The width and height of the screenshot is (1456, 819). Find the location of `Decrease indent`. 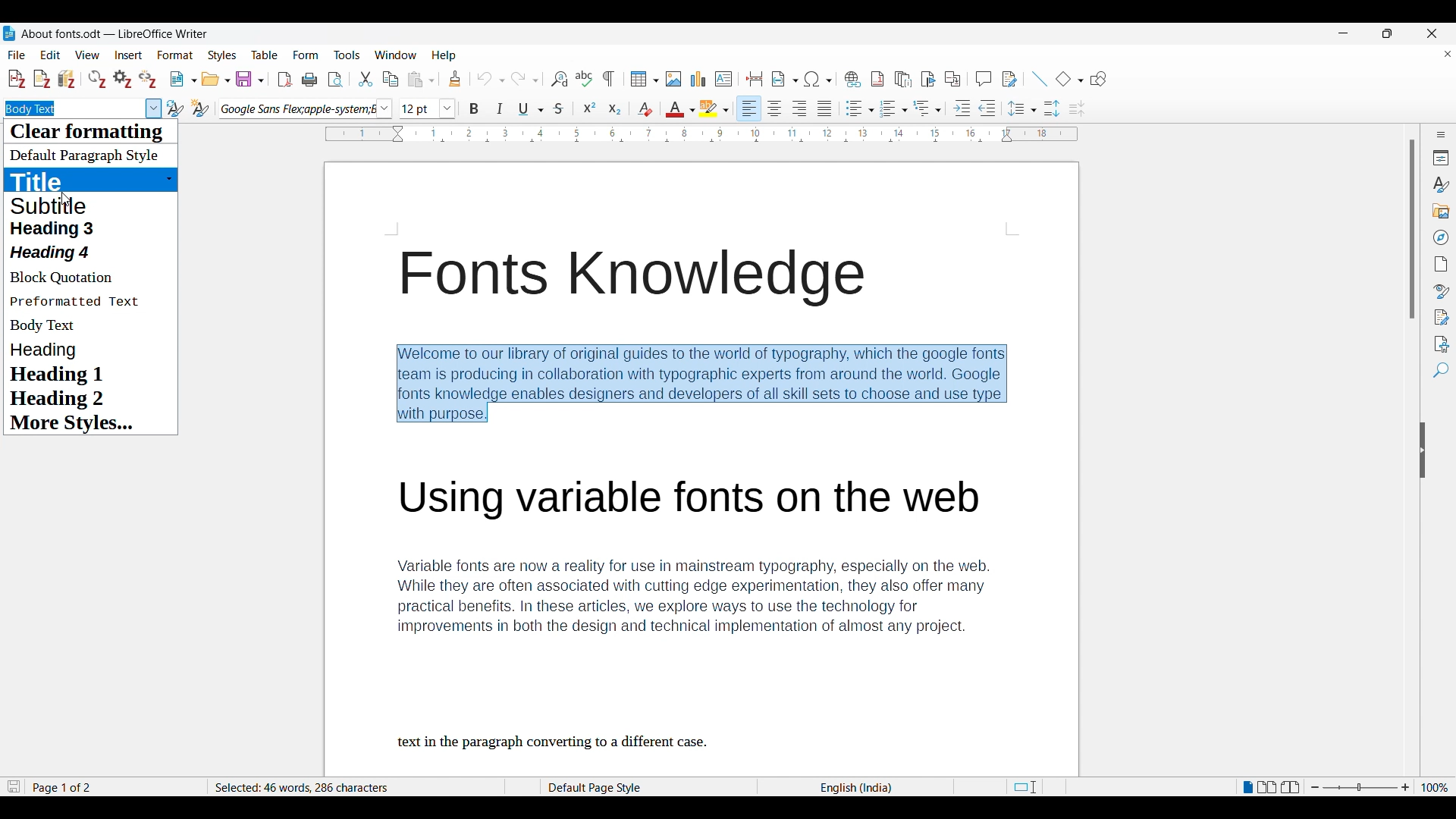

Decrease indent is located at coordinates (987, 108).